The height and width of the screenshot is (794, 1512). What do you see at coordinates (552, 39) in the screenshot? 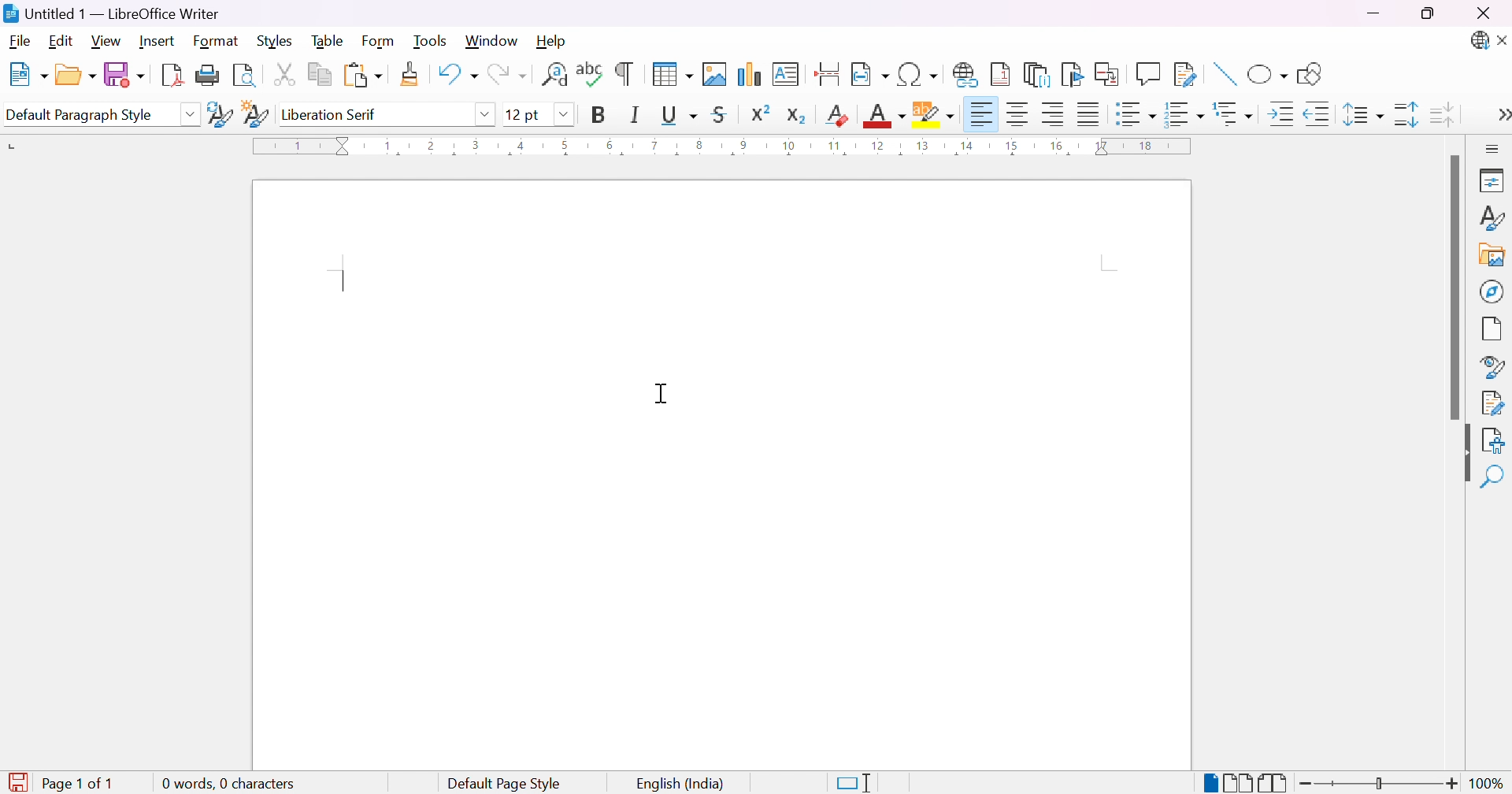
I see `Help` at bounding box center [552, 39].